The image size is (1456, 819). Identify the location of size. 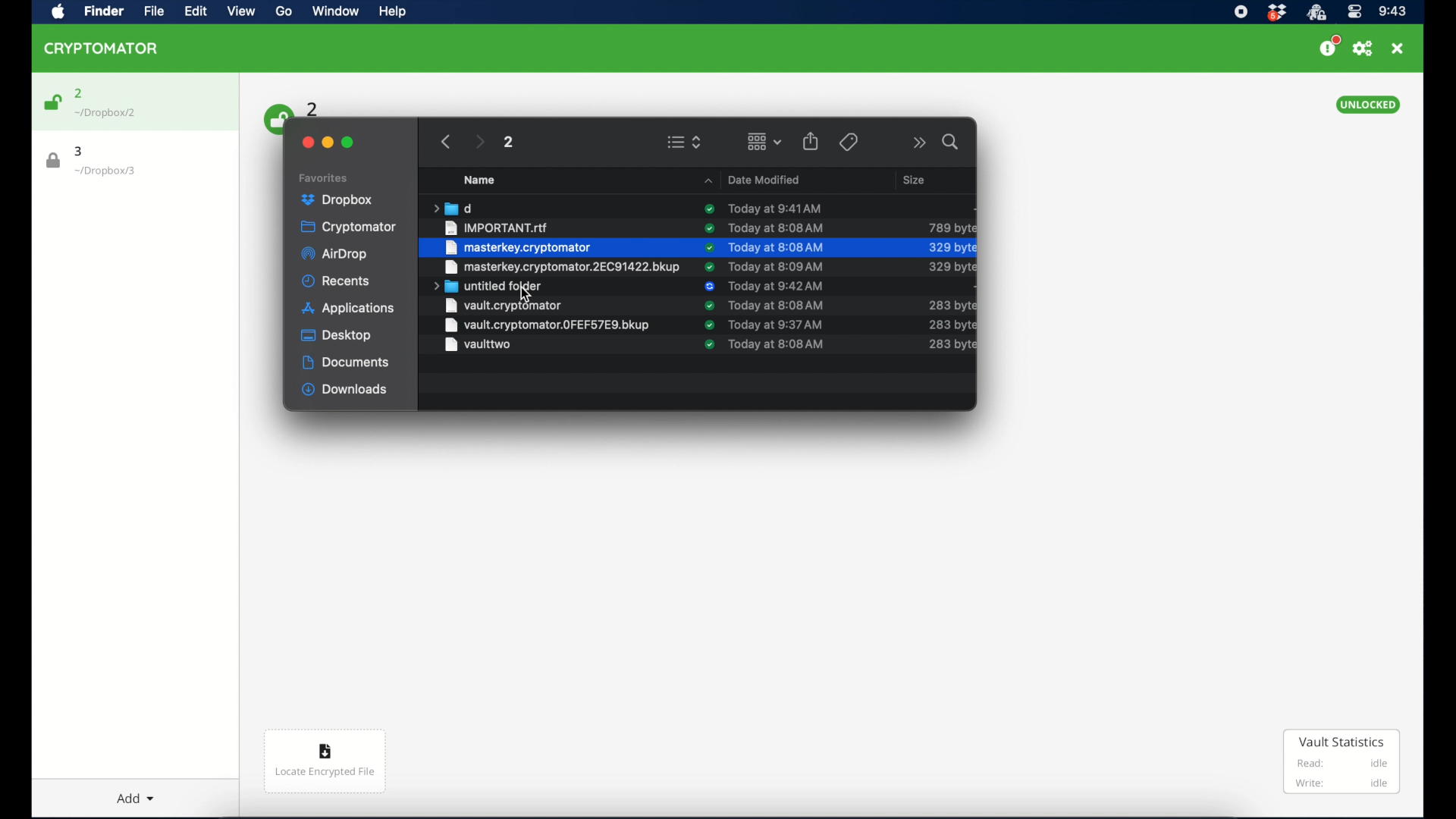
(952, 227).